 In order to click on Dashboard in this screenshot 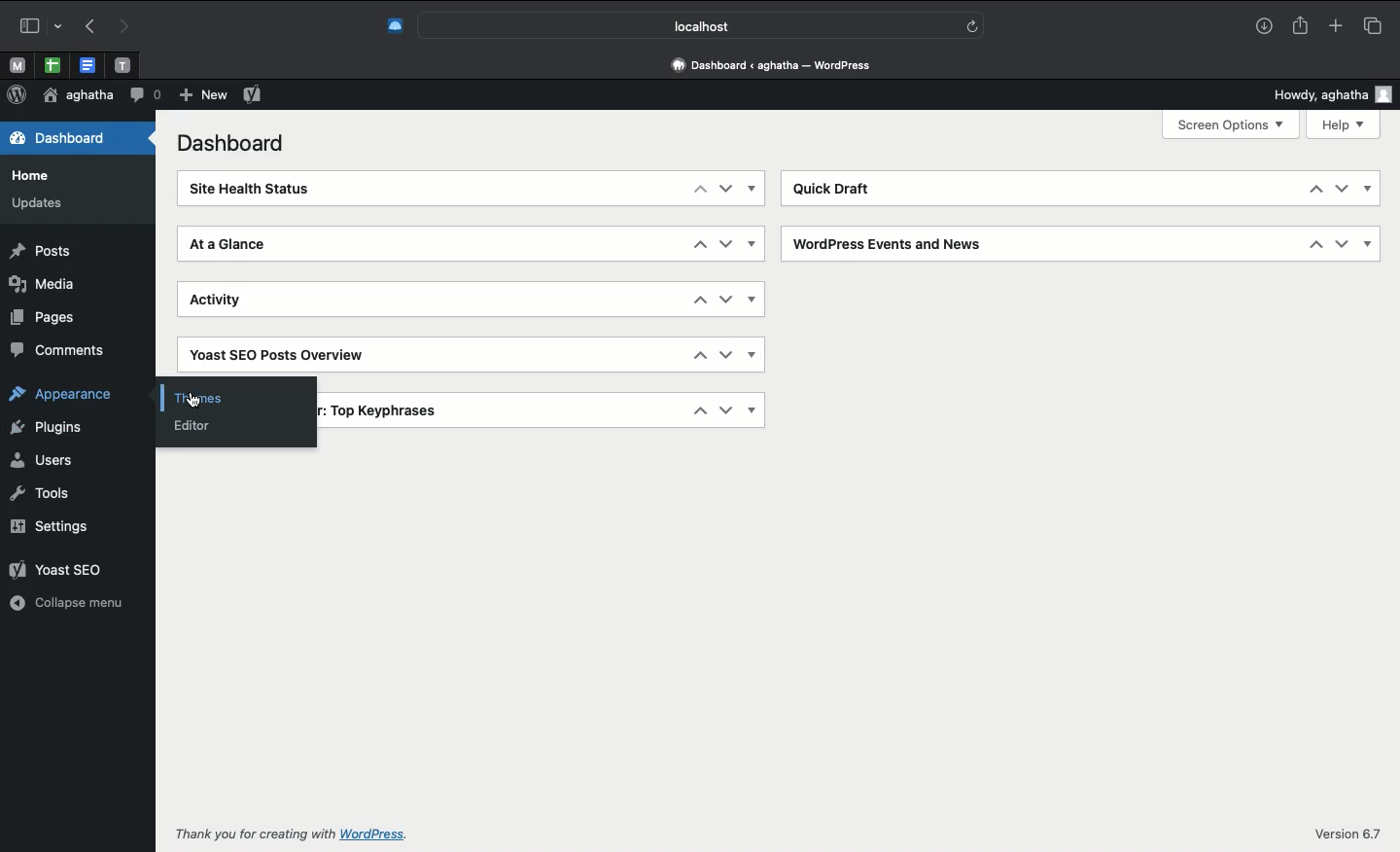, I will do `click(57, 141)`.